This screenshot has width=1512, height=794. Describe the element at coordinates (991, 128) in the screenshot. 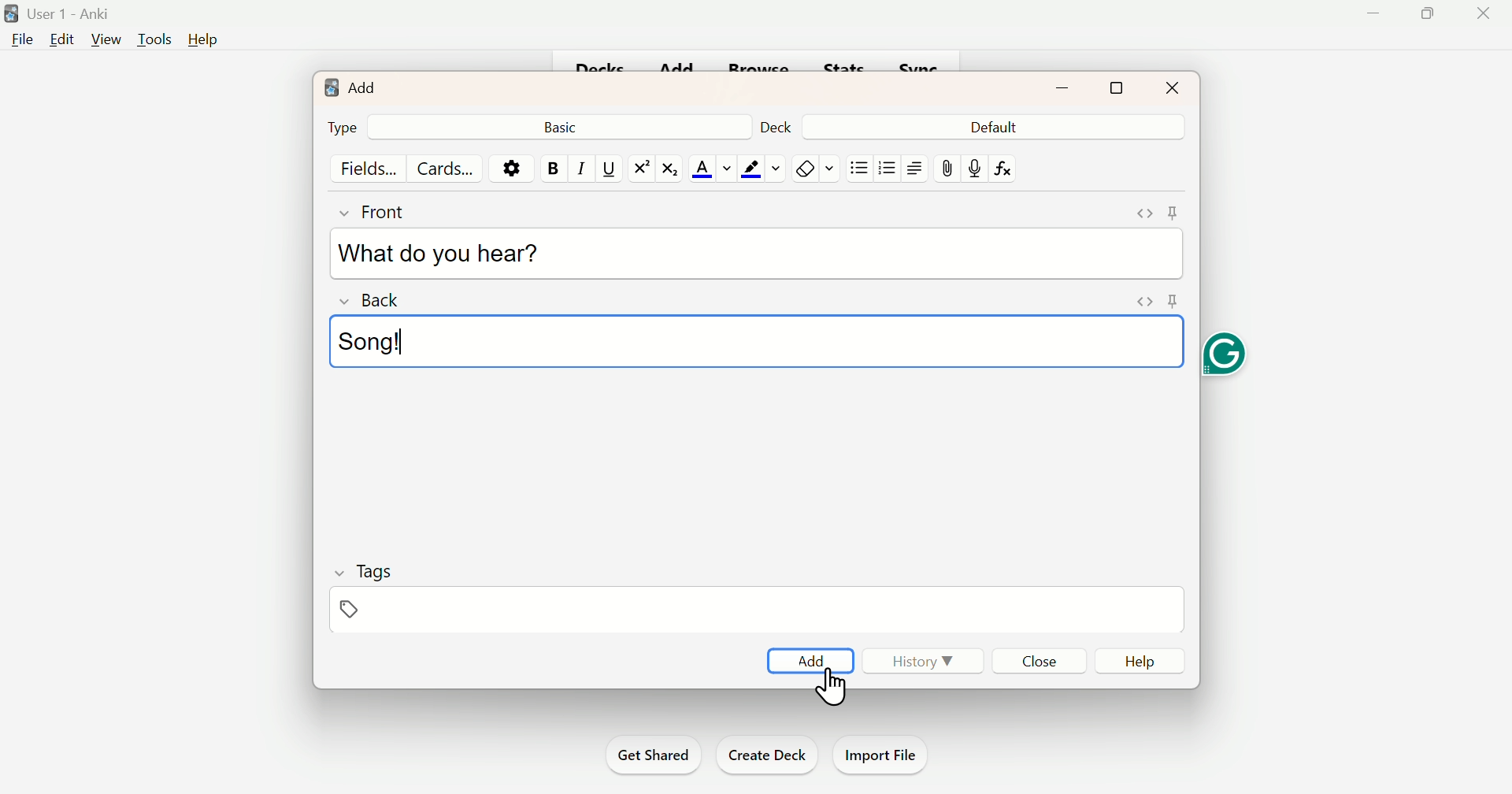

I see `Default` at that location.